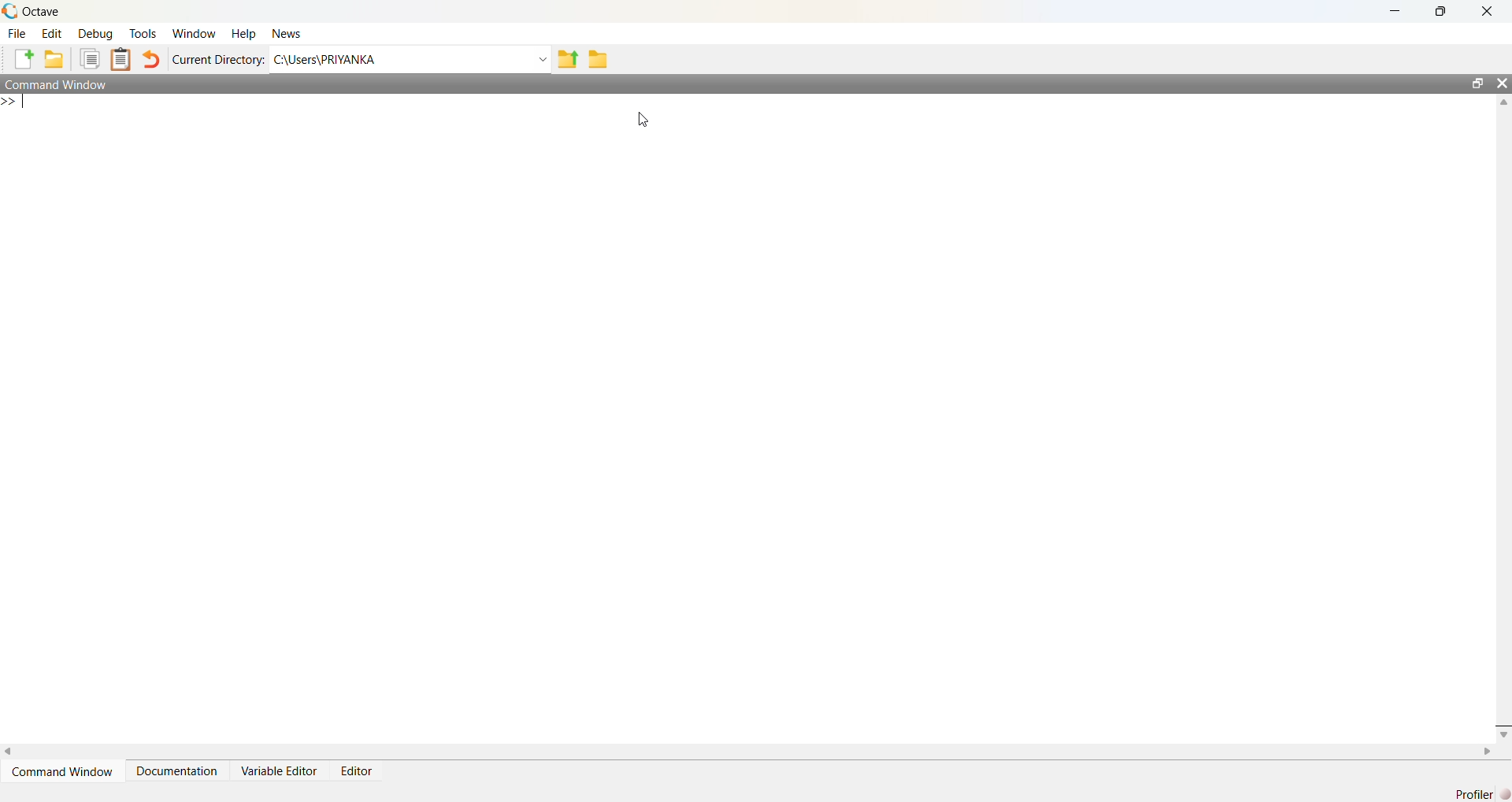  Describe the element at coordinates (1395, 11) in the screenshot. I see `minimize` at that location.